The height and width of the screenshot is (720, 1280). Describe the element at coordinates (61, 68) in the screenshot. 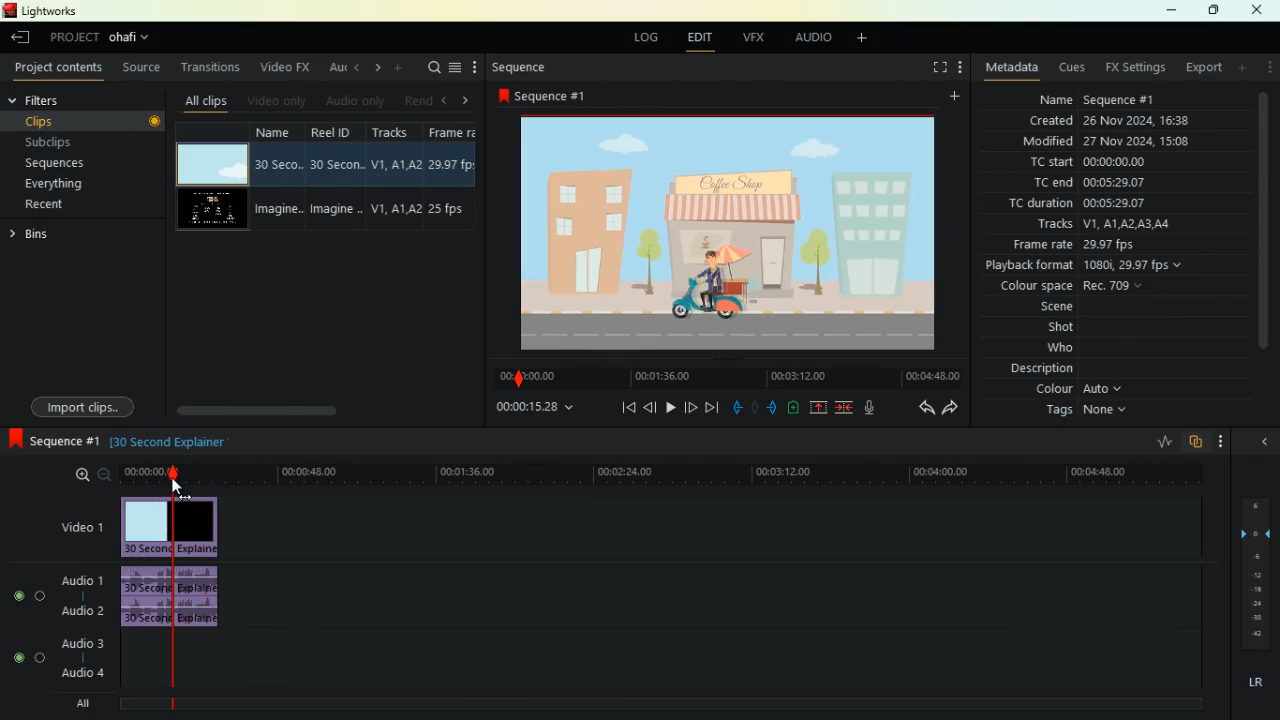

I see `project contents` at that location.